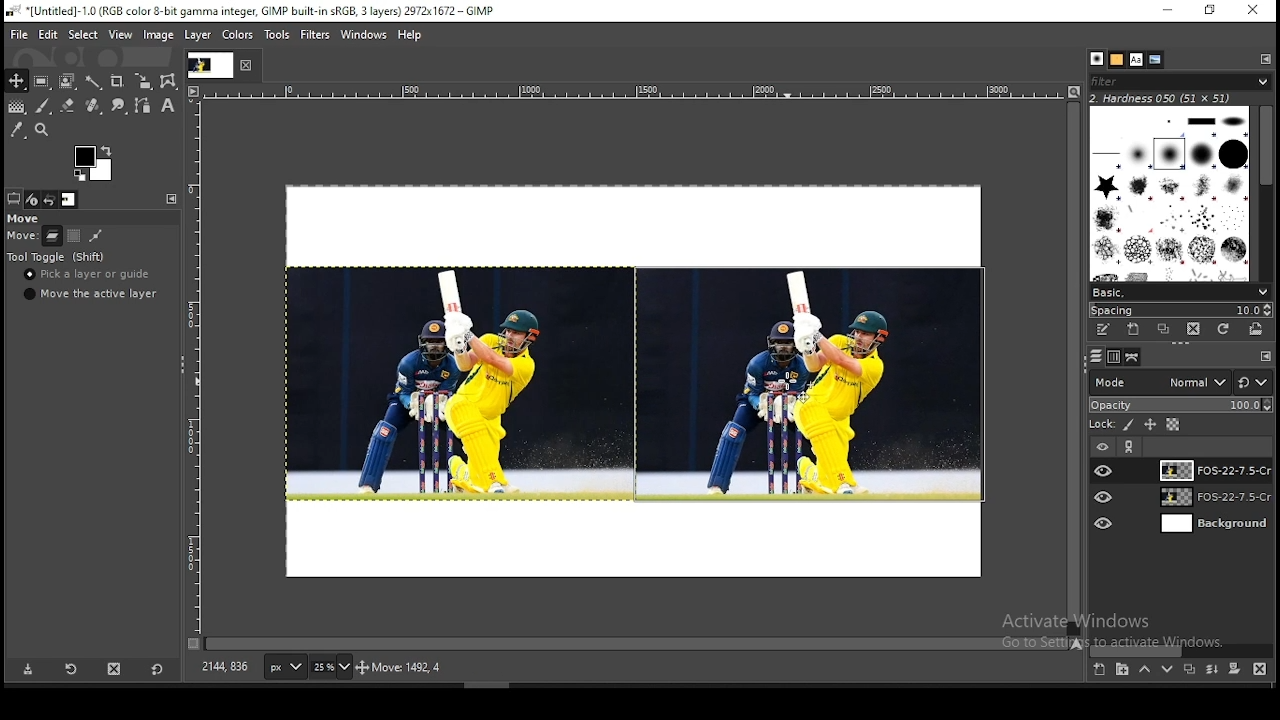 The height and width of the screenshot is (720, 1280). Describe the element at coordinates (1164, 329) in the screenshot. I see `duplicate brush` at that location.